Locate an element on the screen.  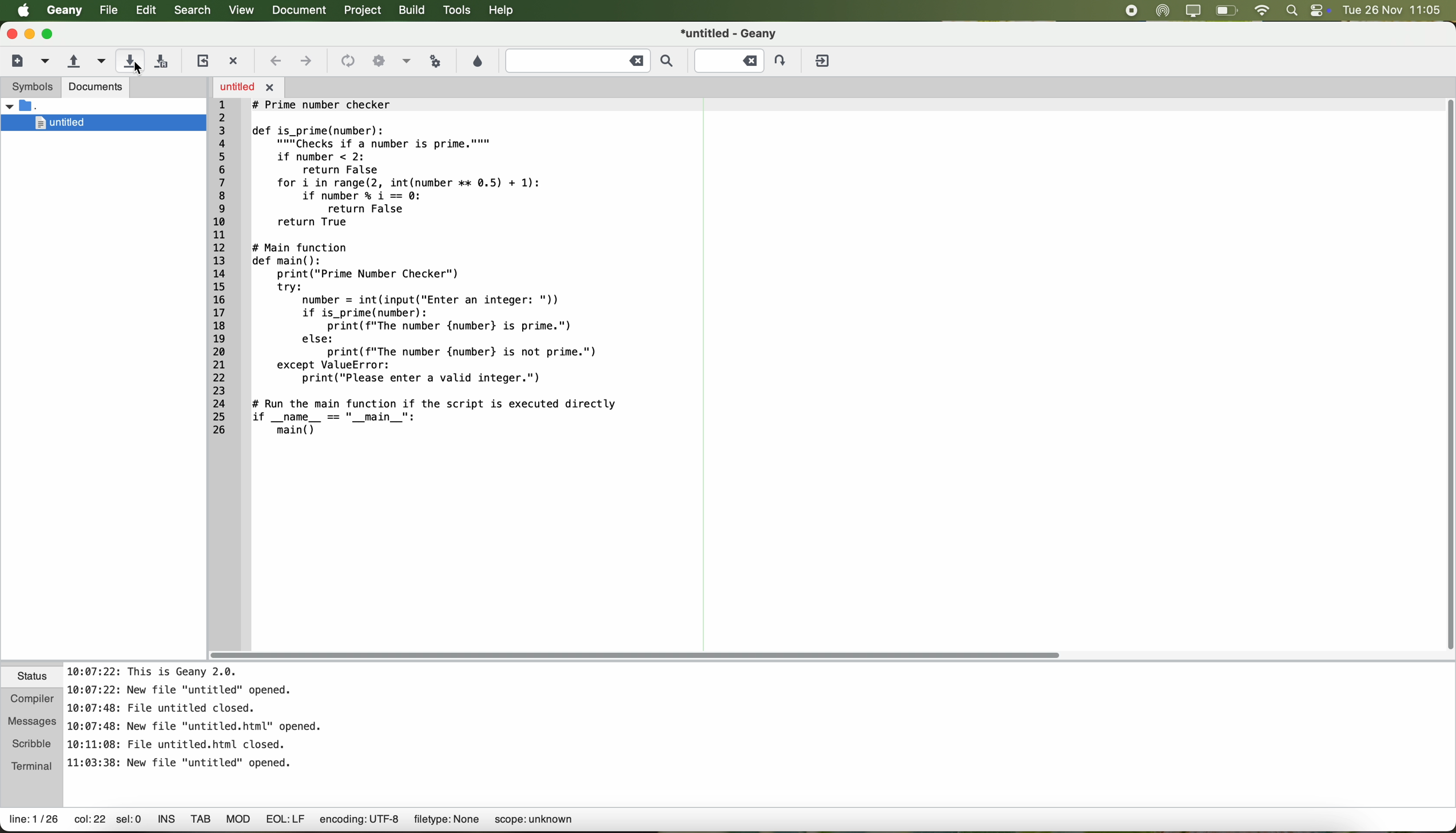
open a recent file is located at coordinates (99, 61).